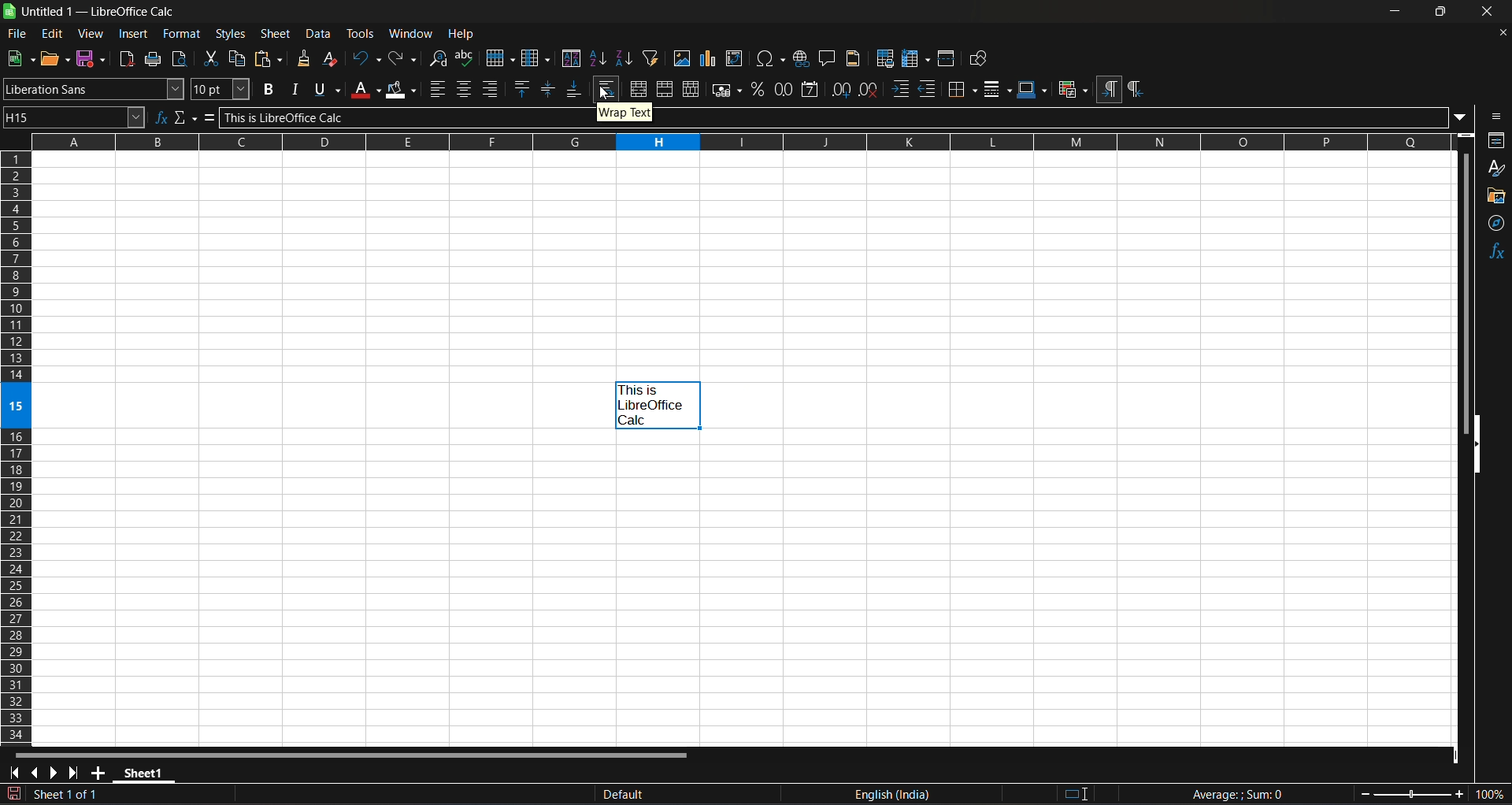 The height and width of the screenshot is (805, 1512). I want to click on format as number, so click(783, 91).